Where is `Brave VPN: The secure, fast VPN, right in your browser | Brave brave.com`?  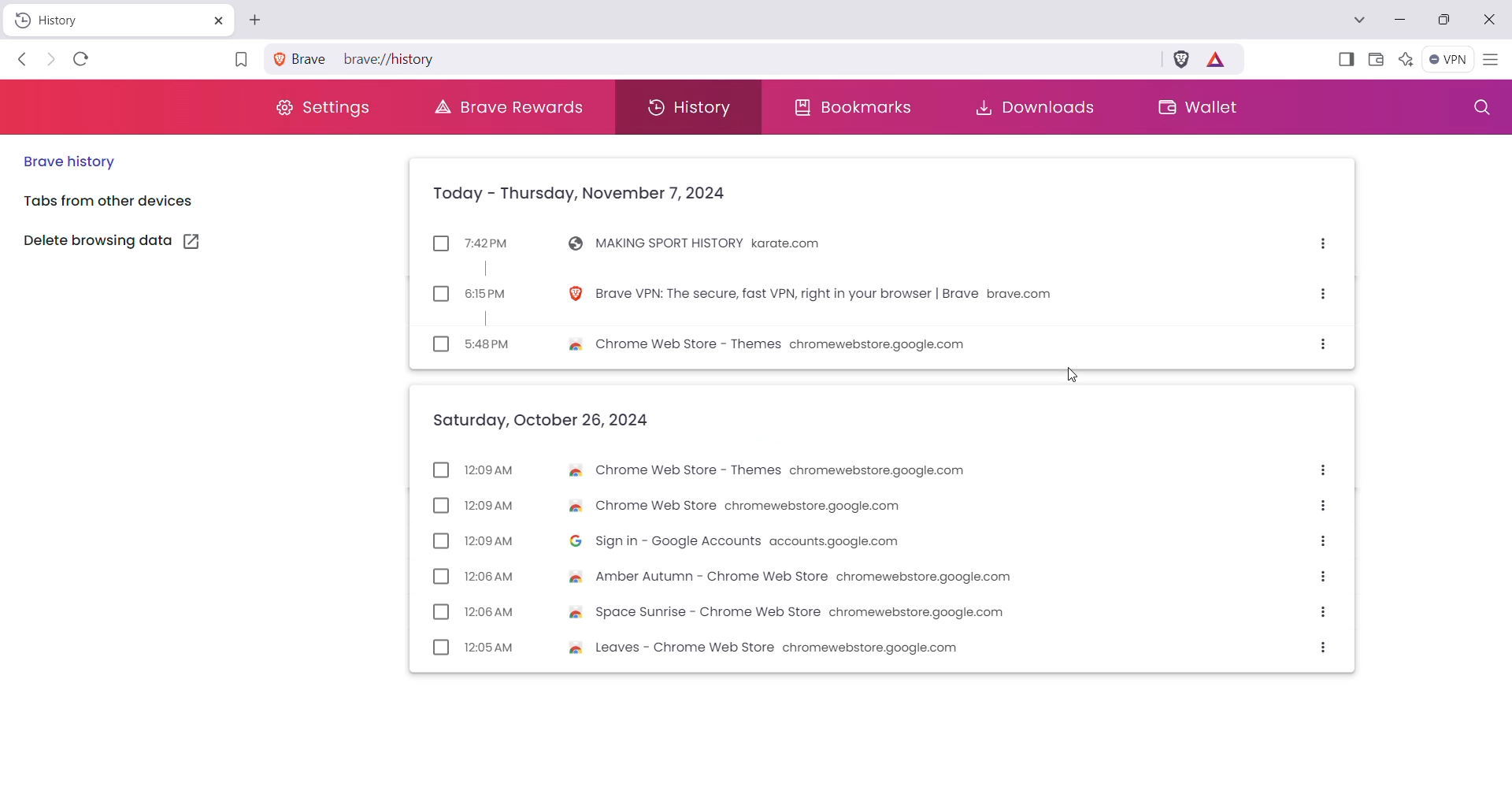
Brave VPN: The secure, fast VPN, right in your browser | Brave brave.com is located at coordinates (826, 298).